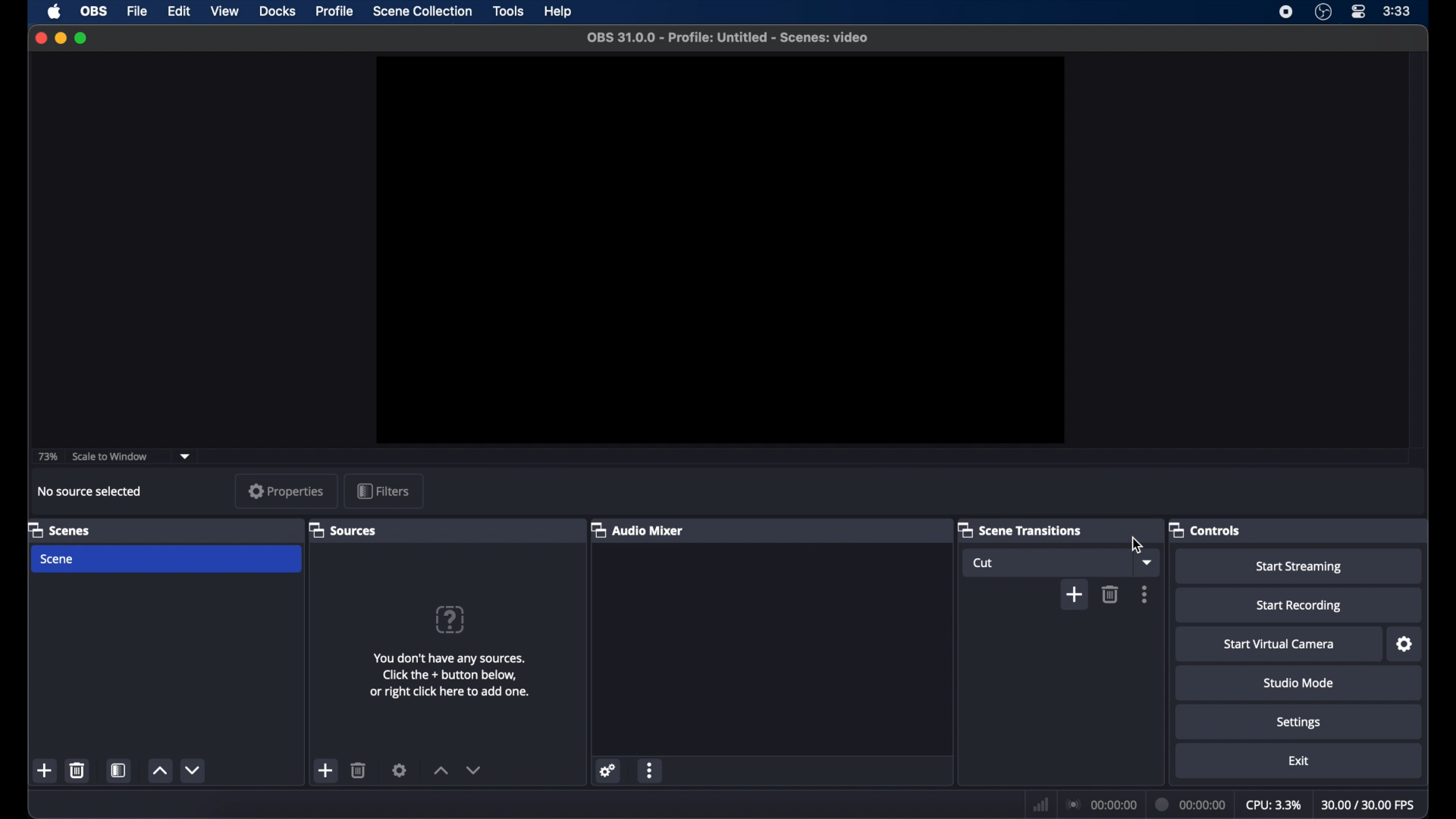 This screenshot has width=1456, height=819. Describe the element at coordinates (1301, 723) in the screenshot. I see `settings` at that location.